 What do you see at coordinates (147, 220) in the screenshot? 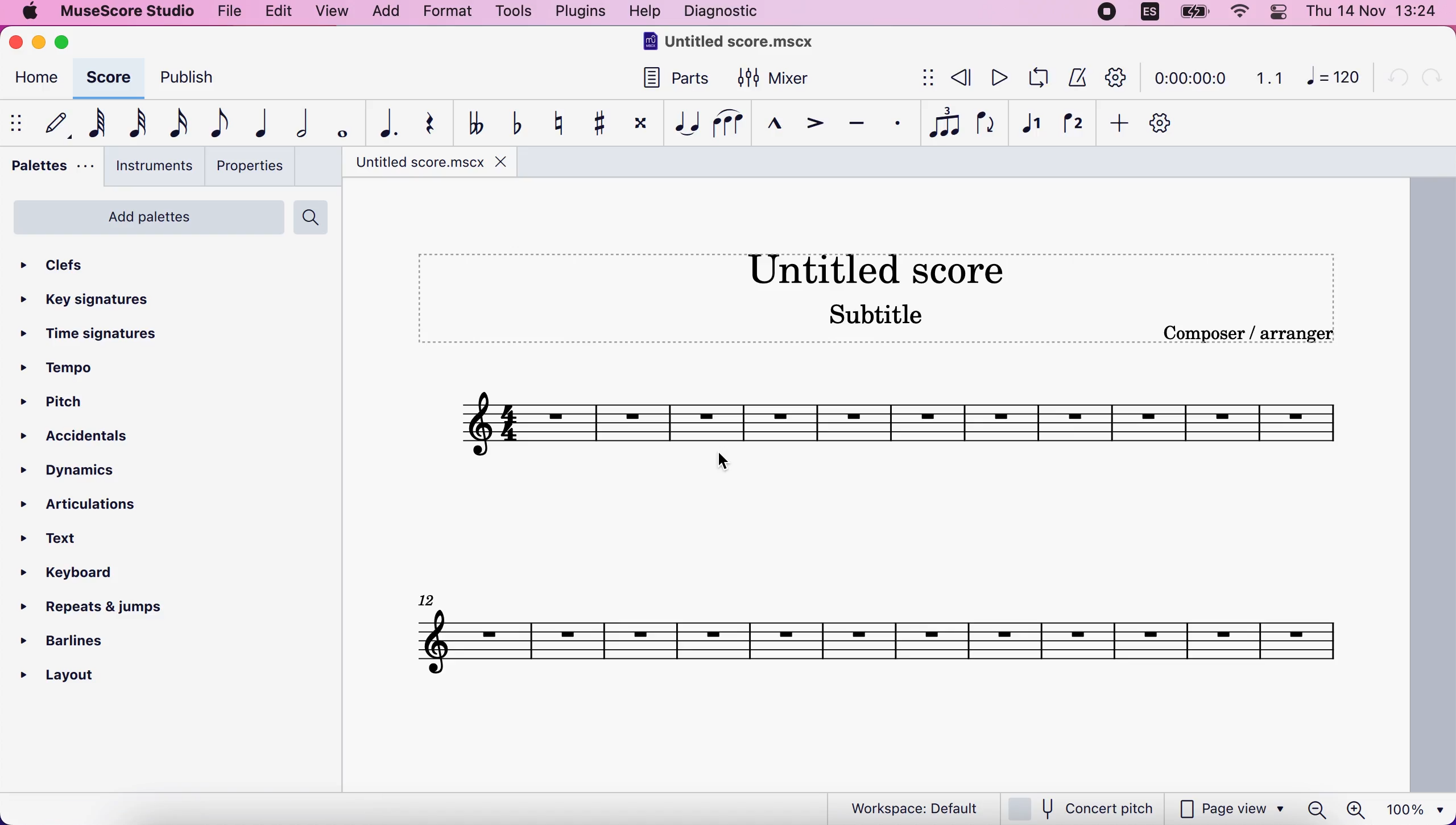
I see `add palettes` at bounding box center [147, 220].